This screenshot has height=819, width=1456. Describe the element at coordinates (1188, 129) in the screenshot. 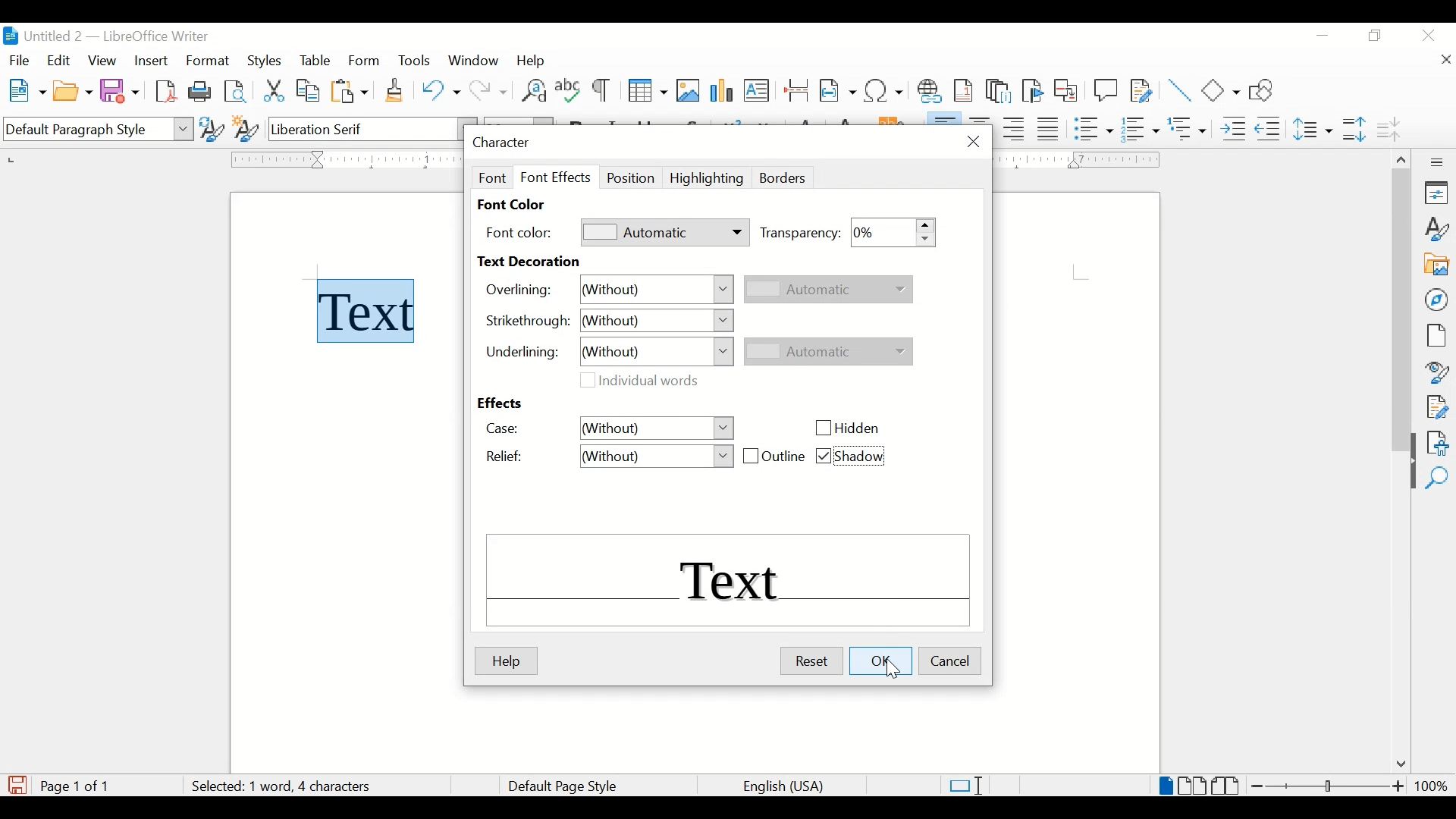

I see `select outline format` at that location.